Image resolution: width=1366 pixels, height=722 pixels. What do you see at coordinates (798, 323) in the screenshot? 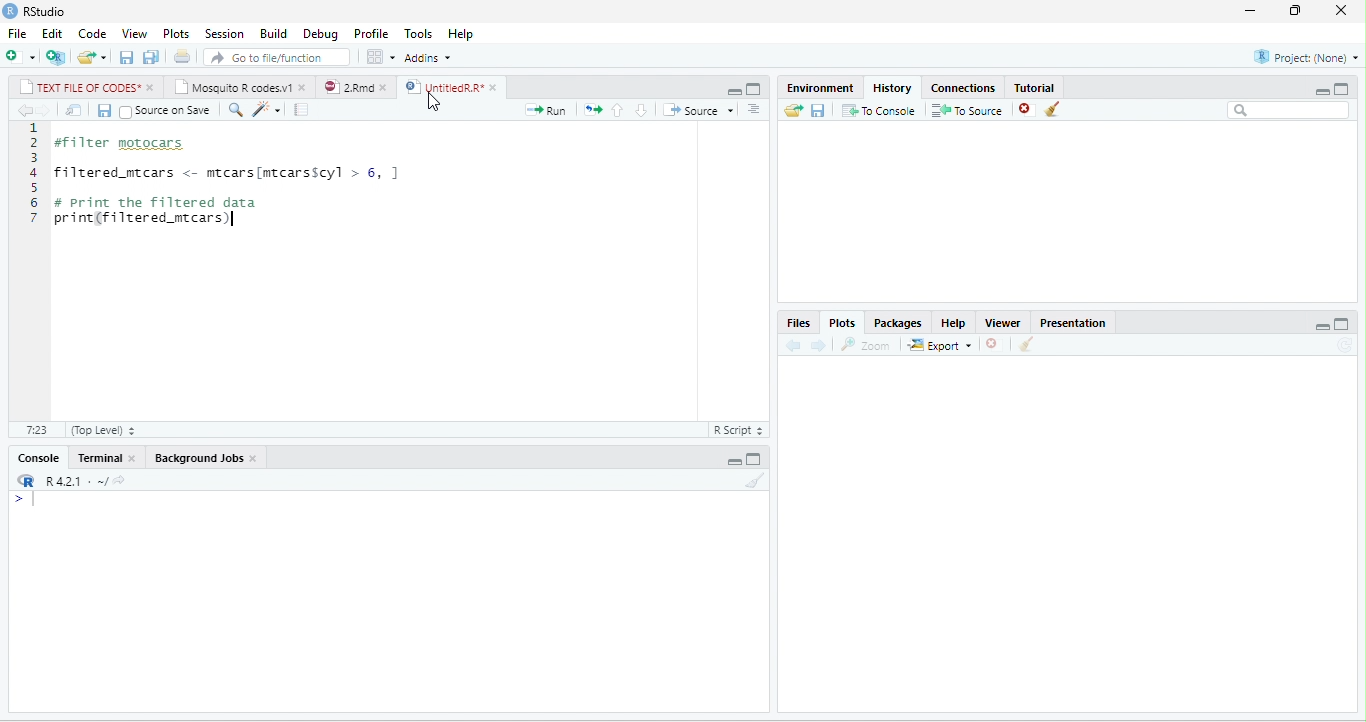
I see `Files` at bounding box center [798, 323].